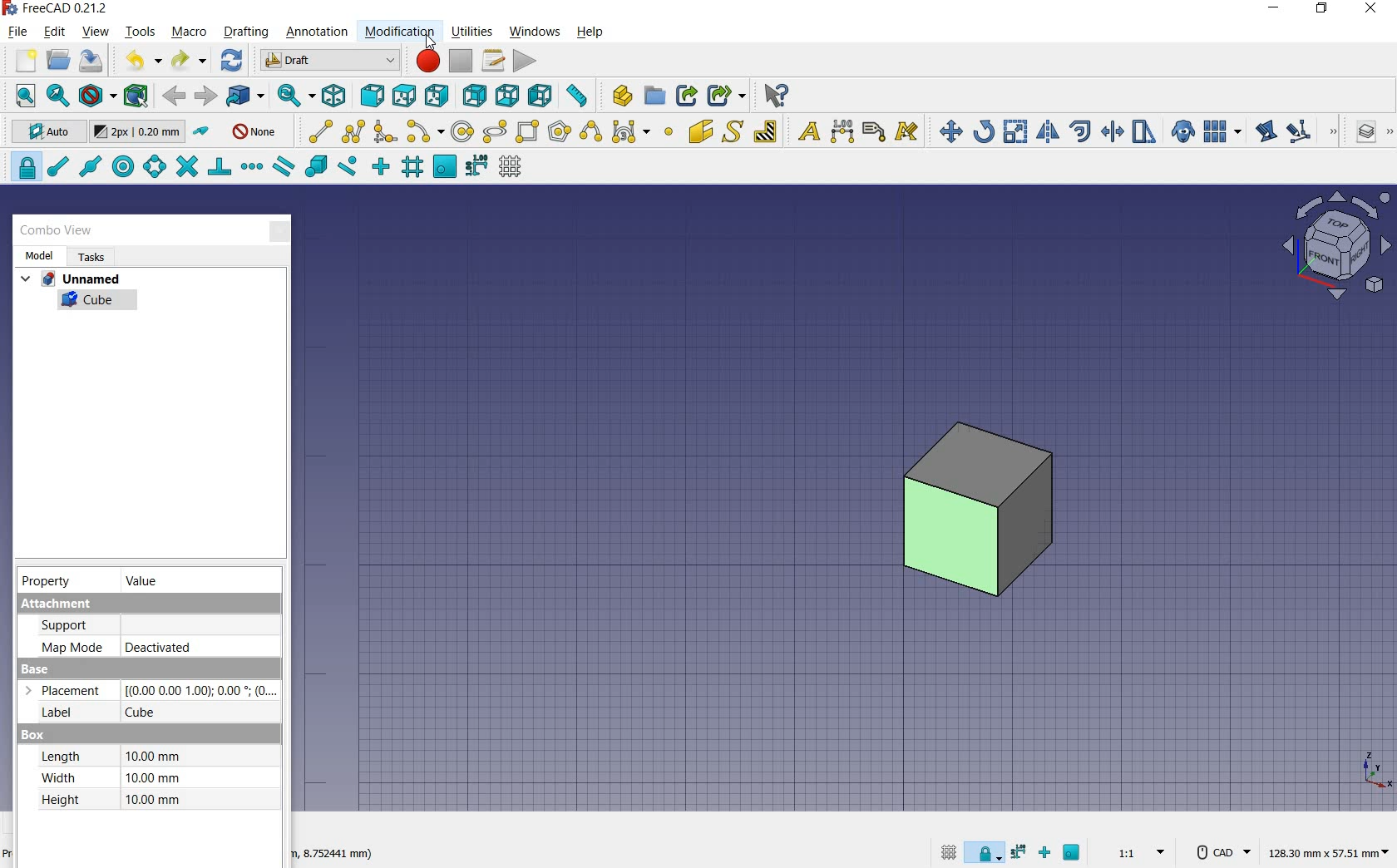 The image size is (1397, 868). I want to click on bounding box, so click(136, 96).